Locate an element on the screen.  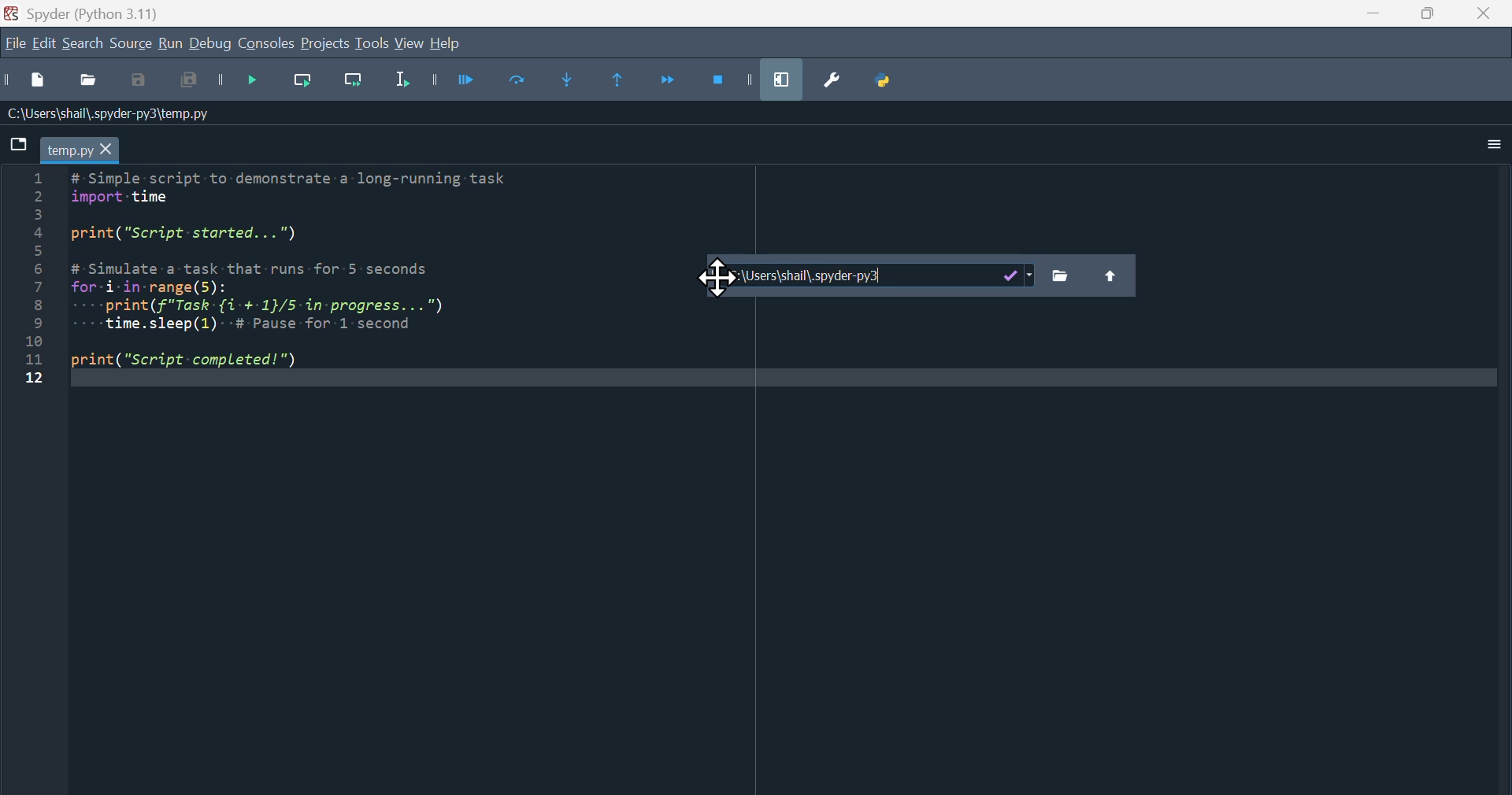
Run selection is located at coordinates (403, 86).